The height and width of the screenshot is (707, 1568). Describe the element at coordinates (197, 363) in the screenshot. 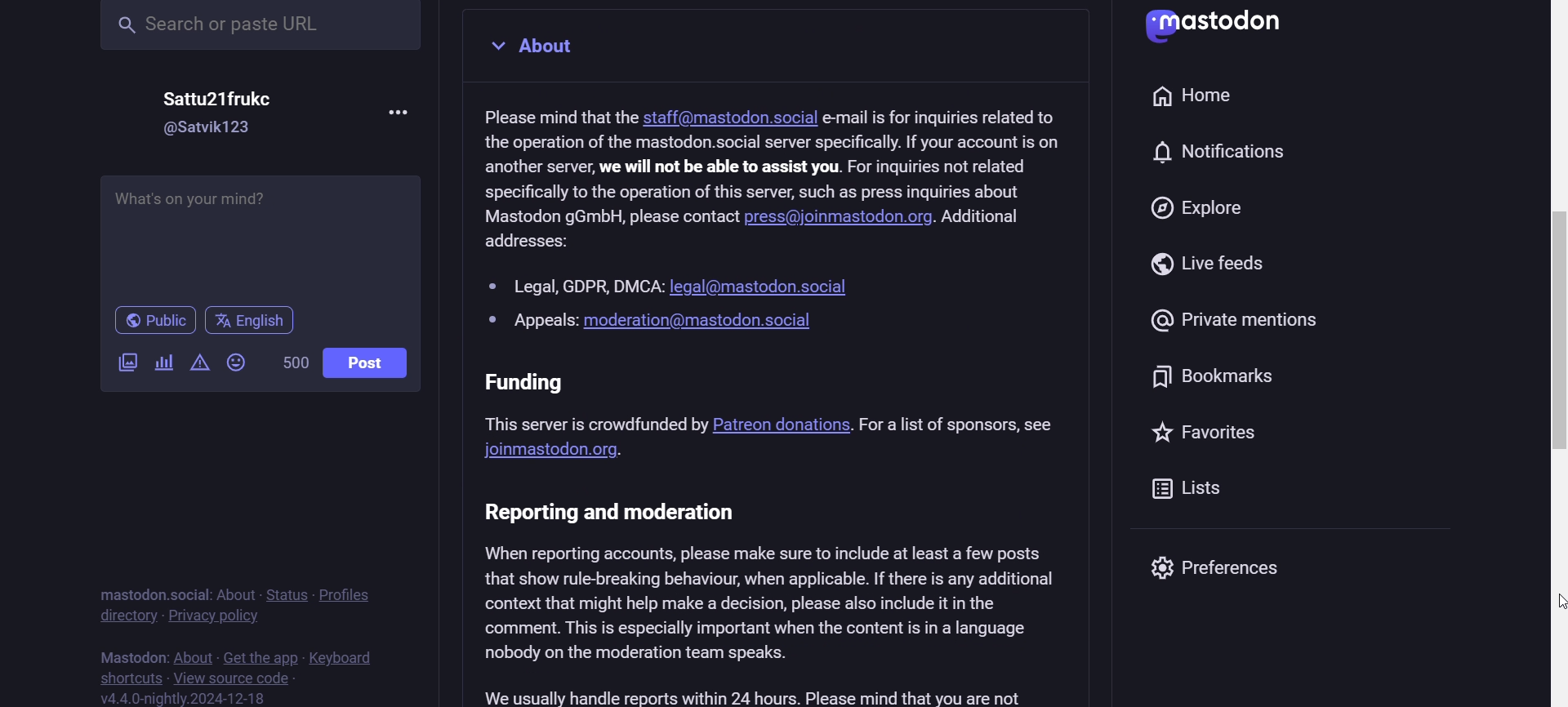

I see `content warning` at that location.